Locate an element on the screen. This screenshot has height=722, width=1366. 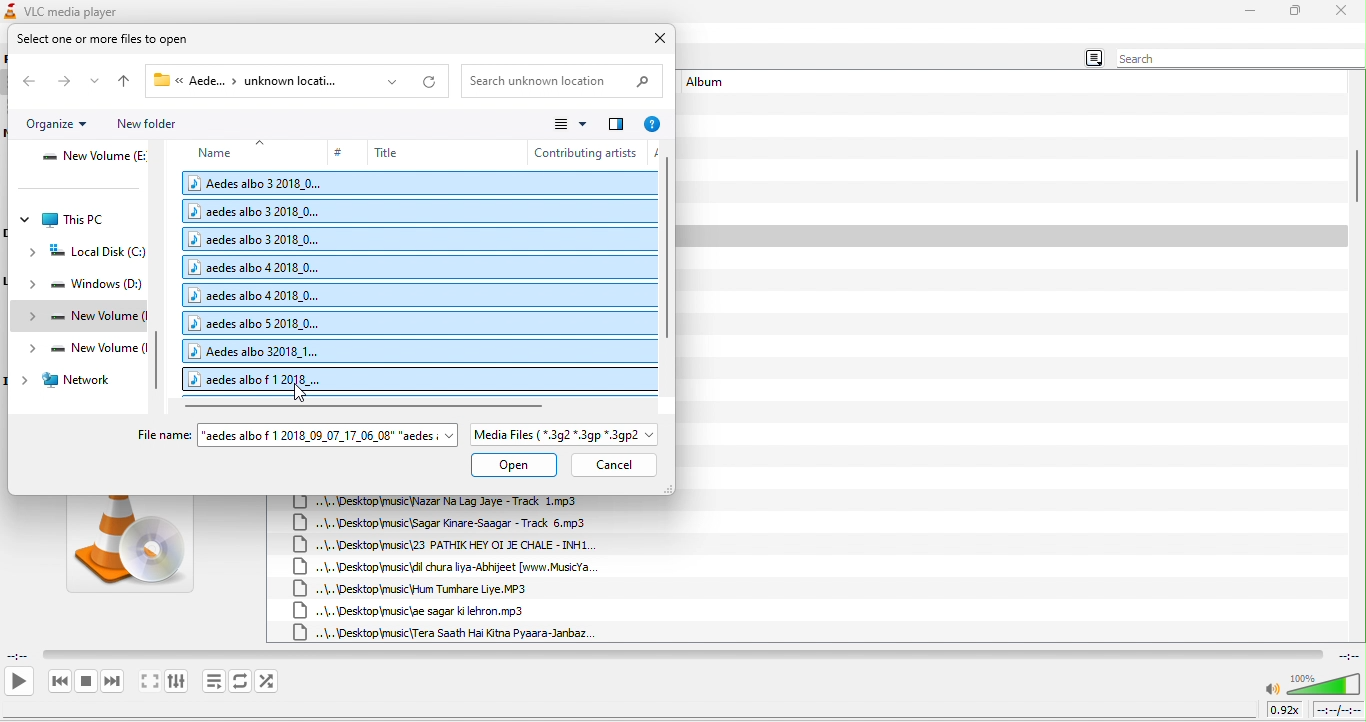
aedes albo 3 2018.0... is located at coordinates (256, 239).